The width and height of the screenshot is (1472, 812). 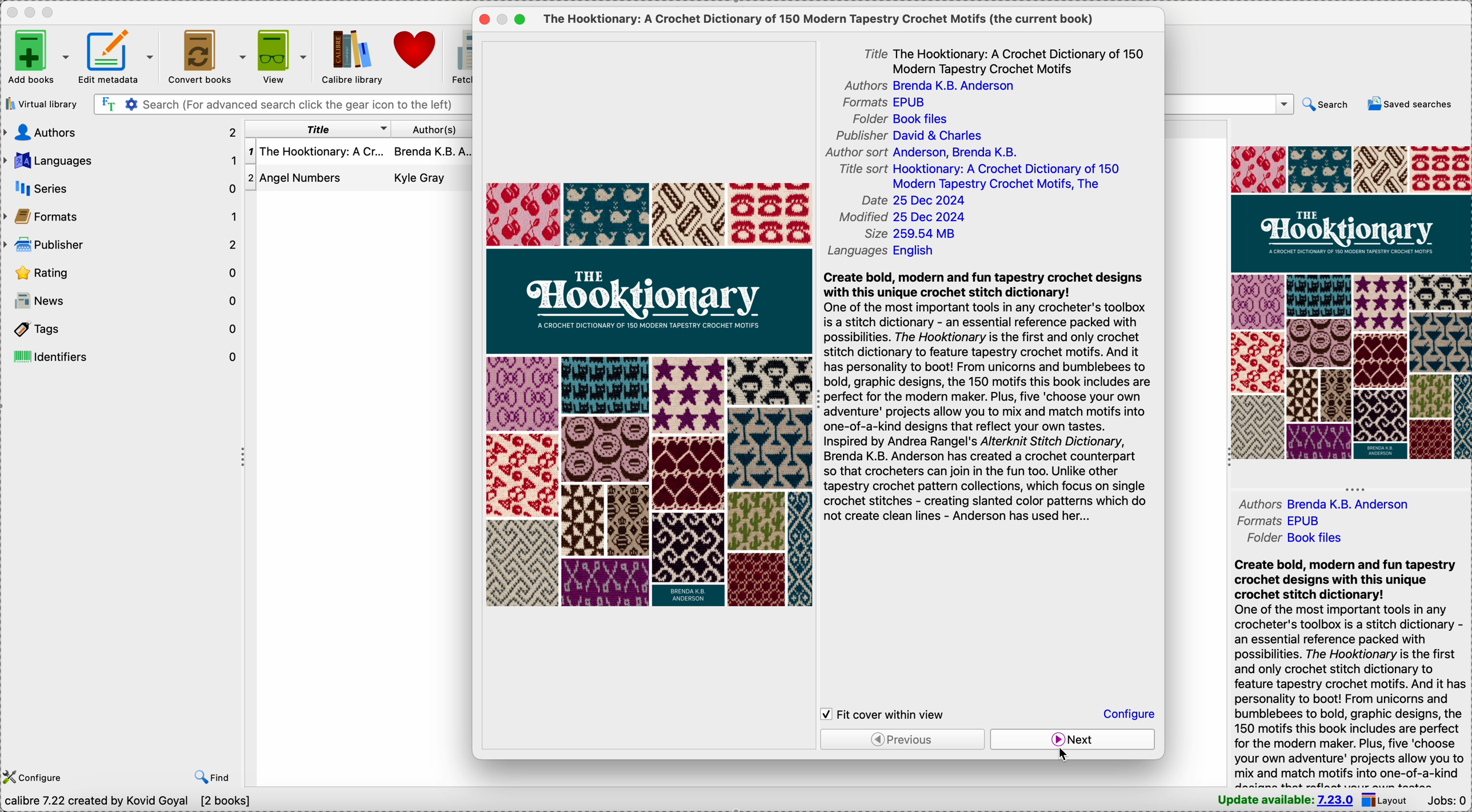 I want to click on current book, so click(x=821, y=19).